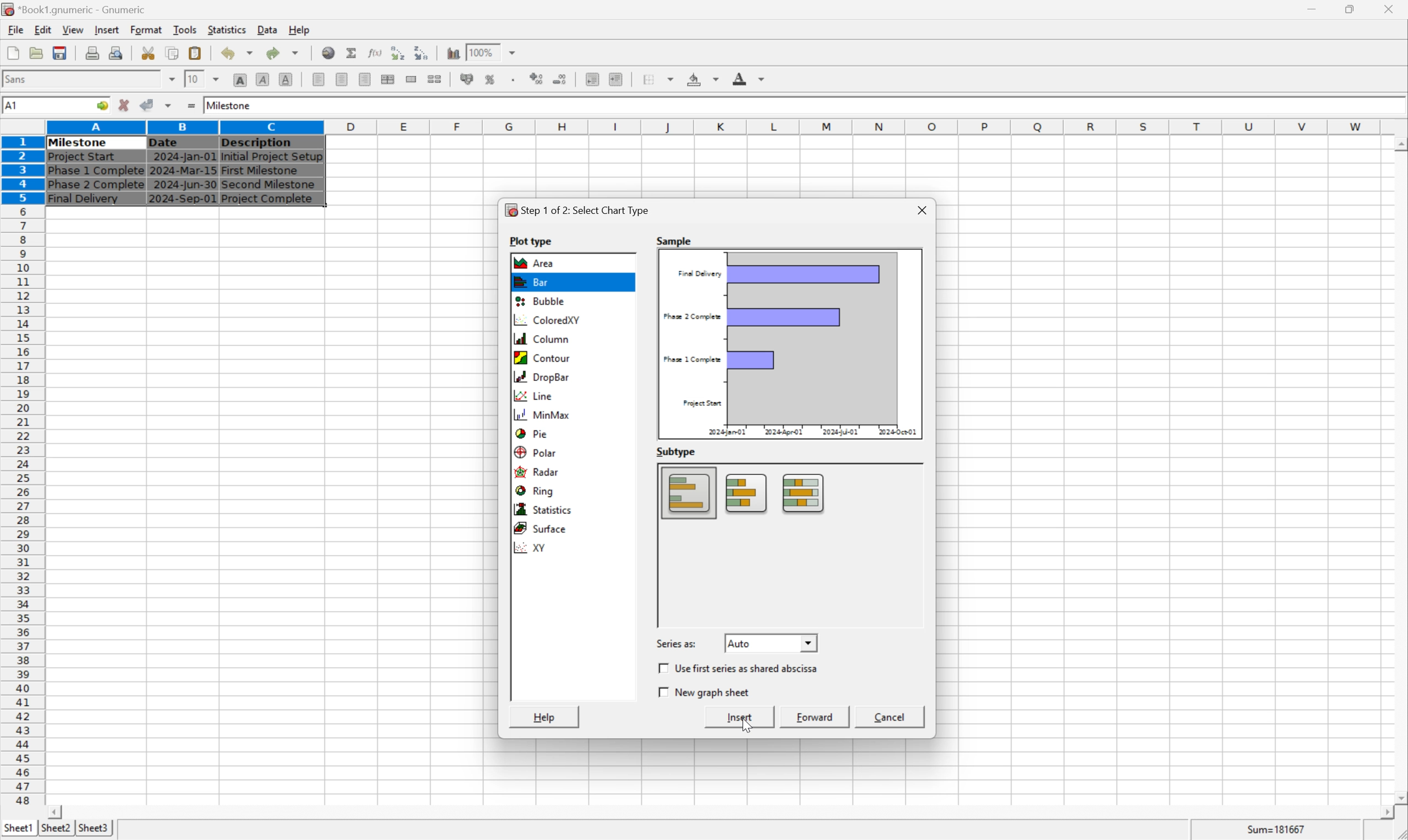  I want to click on sample bar chart, so click(792, 343).